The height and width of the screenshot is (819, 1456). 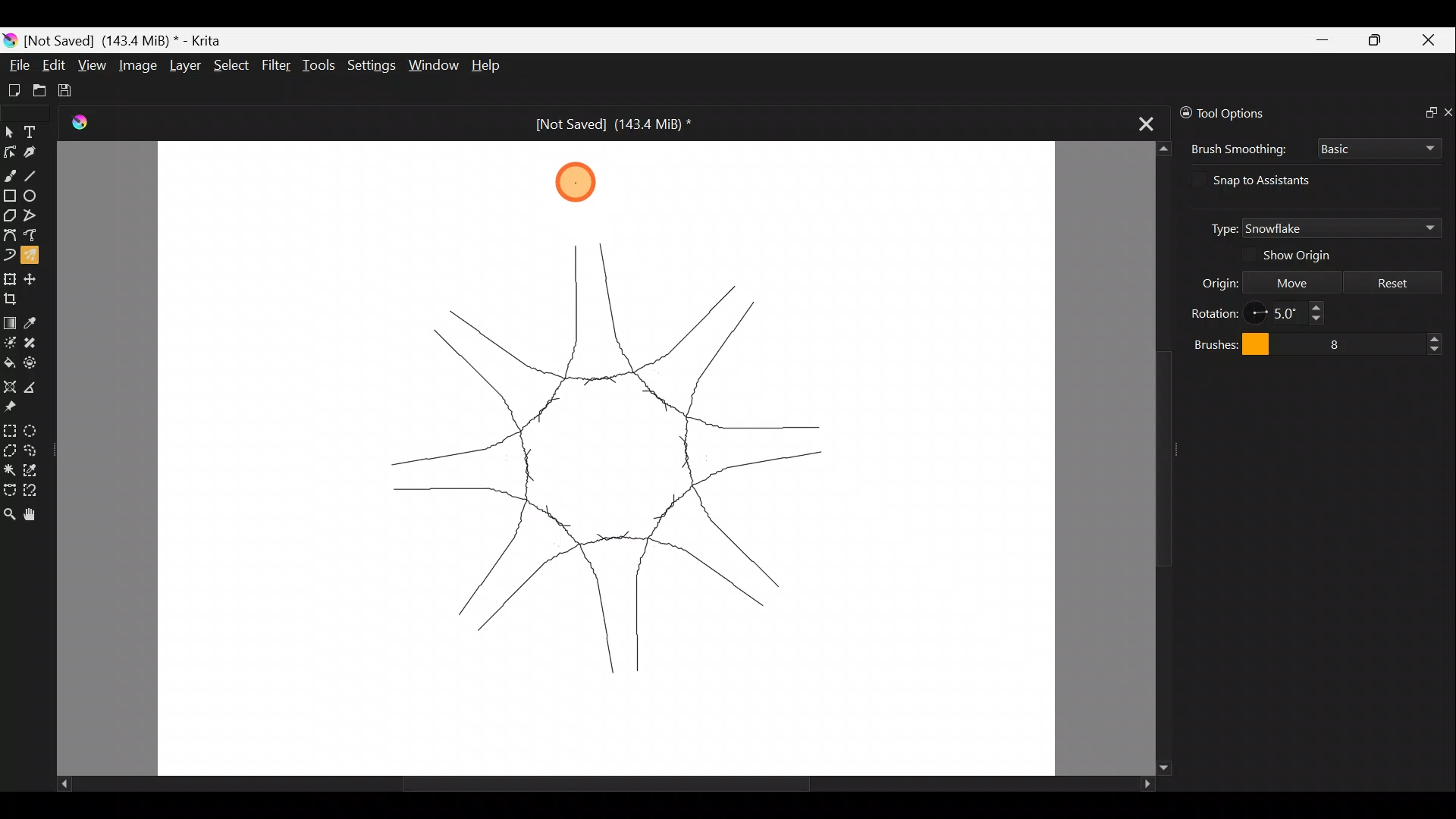 What do you see at coordinates (570, 183) in the screenshot?
I see `Cursor on canvas` at bounding box center [570, 183].